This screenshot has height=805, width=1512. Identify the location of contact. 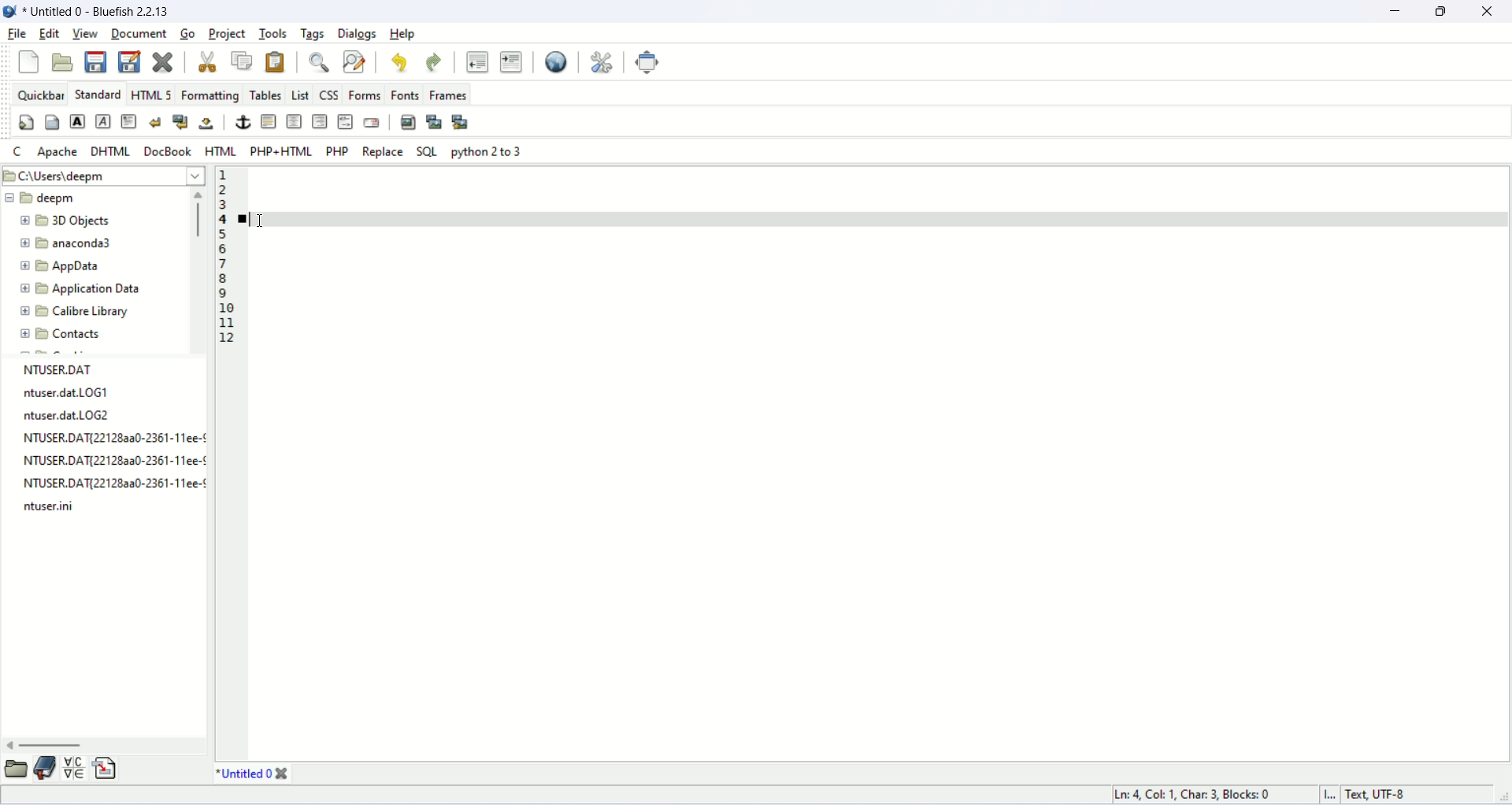
(63, 336).